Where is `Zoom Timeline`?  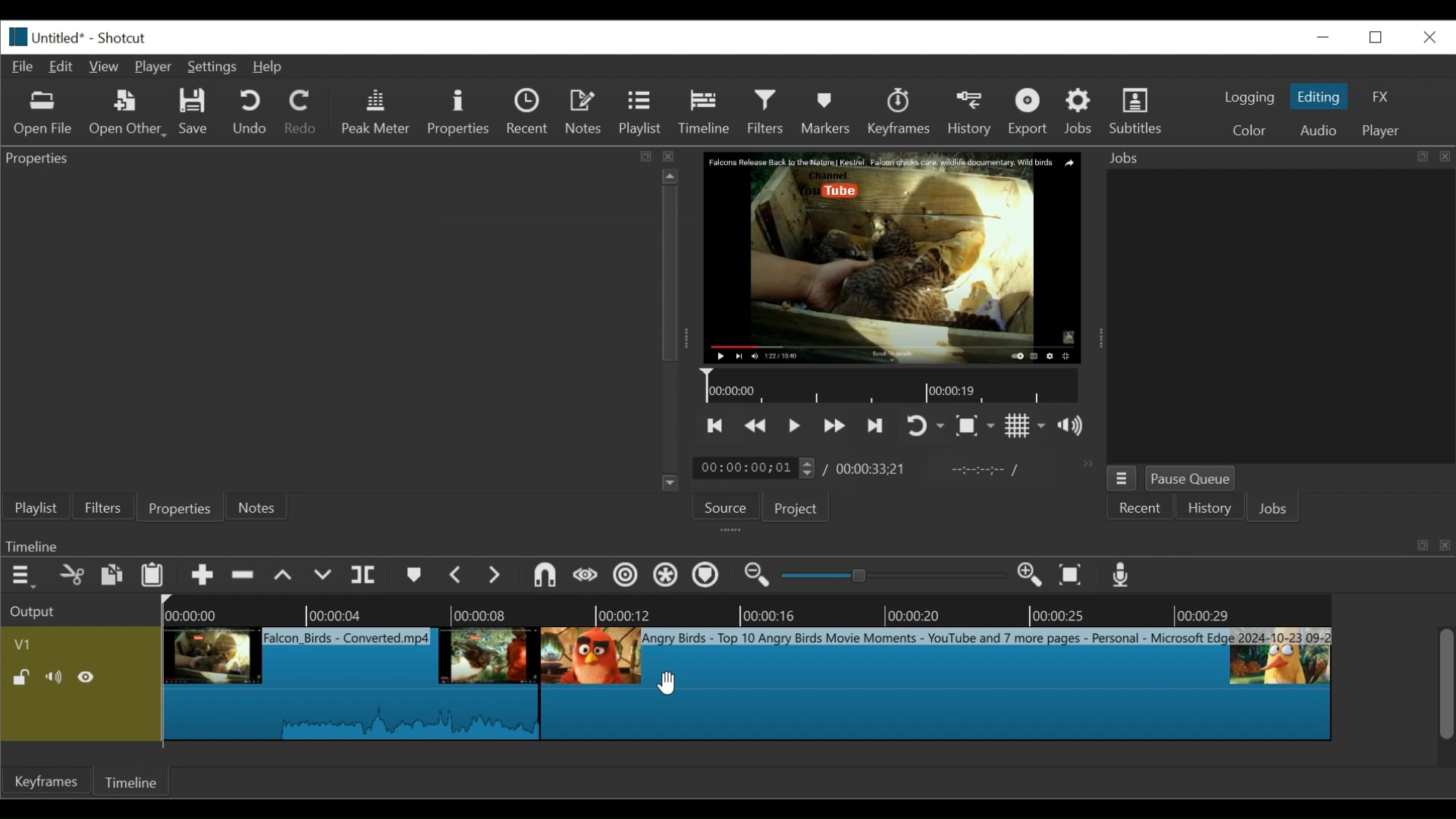
Zoom Timeline is located at coordinates (804, 611).